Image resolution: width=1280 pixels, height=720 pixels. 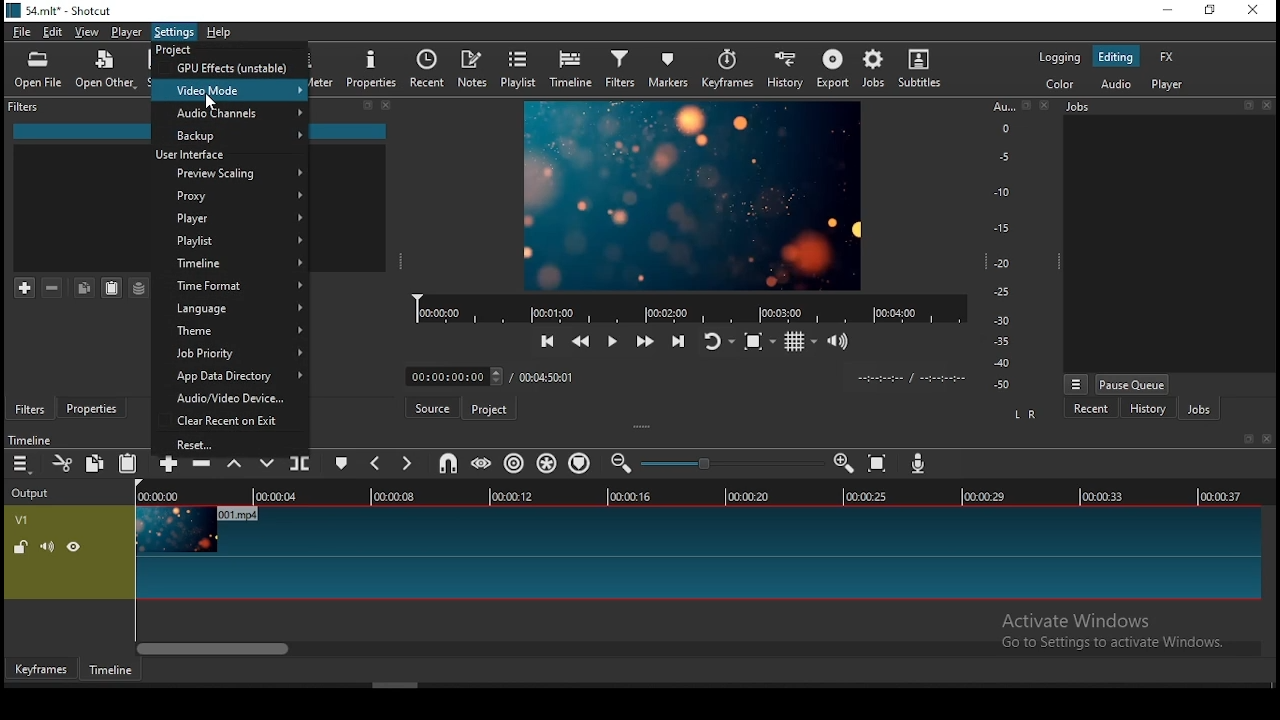 I want to click on toggle player looping, so click(x=717, y=340).